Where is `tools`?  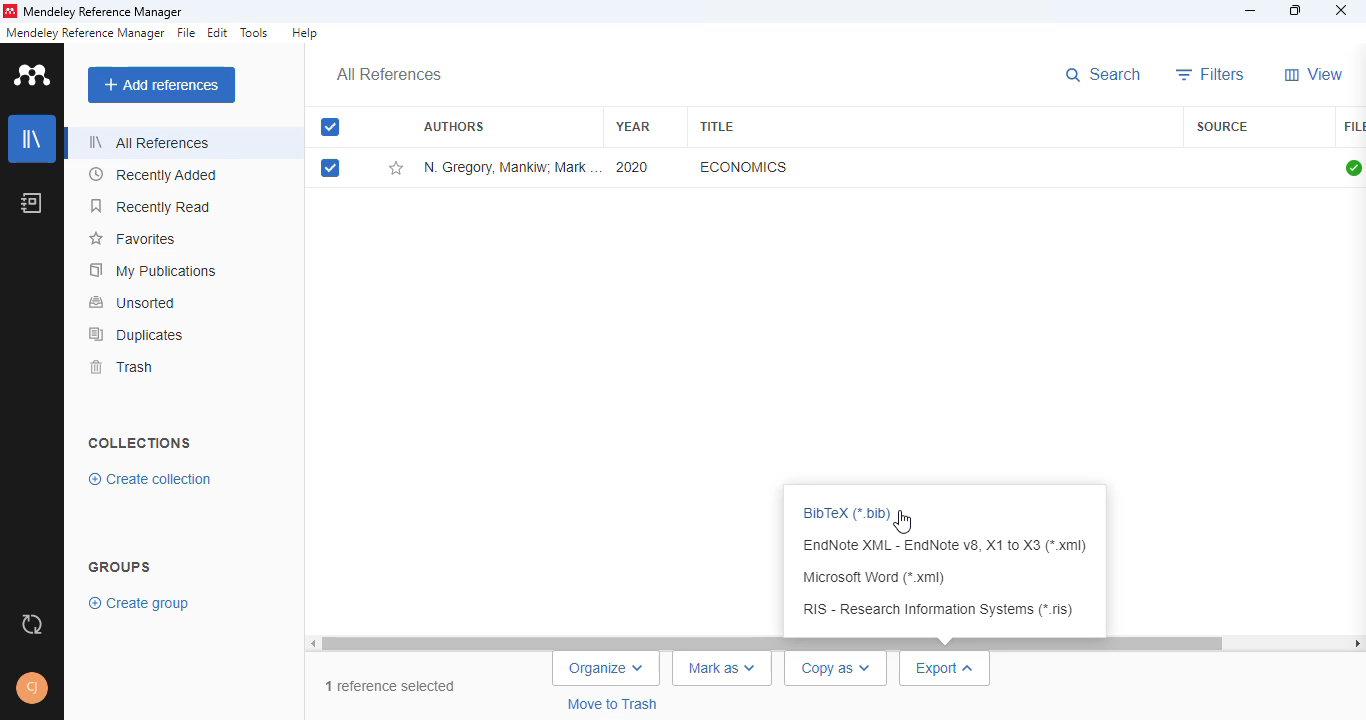
tools is located at coordinates (254, 32).